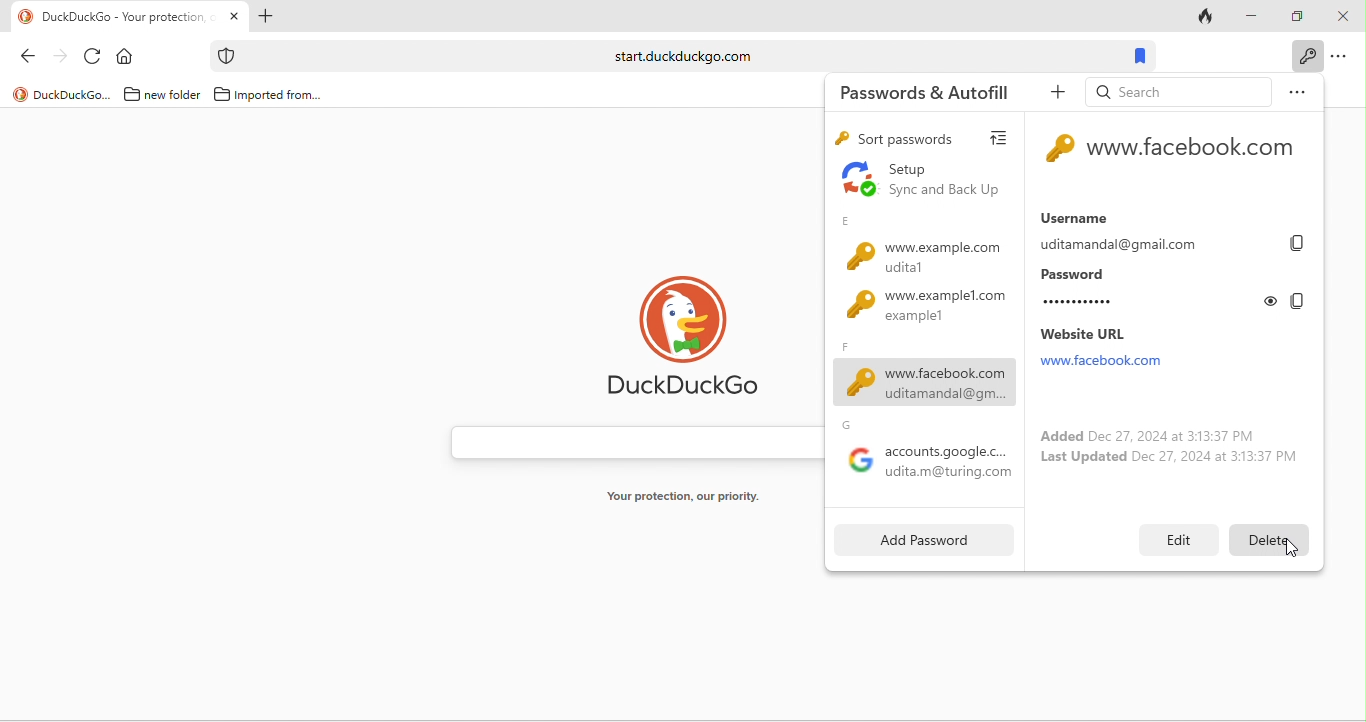  Describe the element at coordinates (920, 182) in the screenshot. I see `set up` at that location.